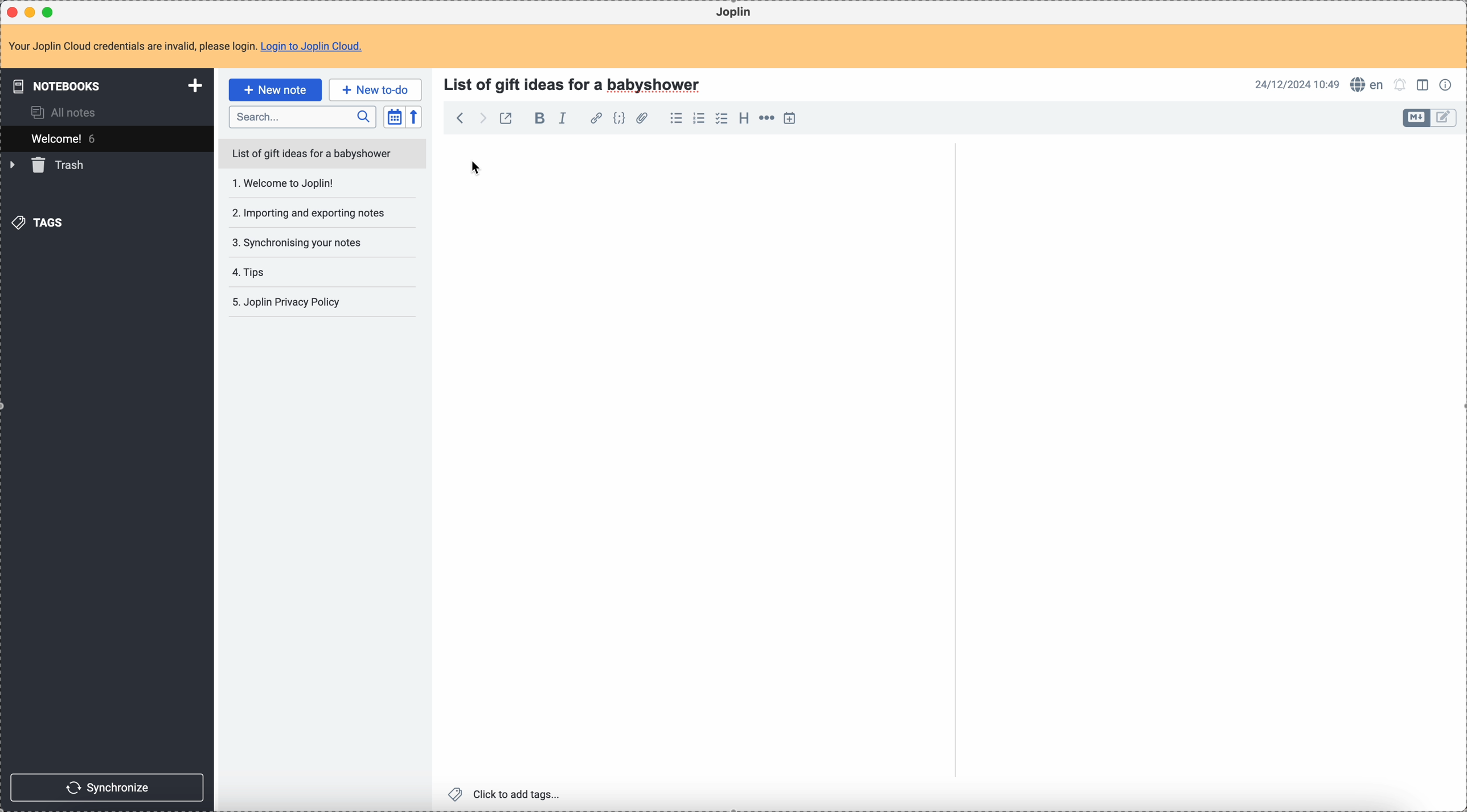 Image resolution: width=1467 pixels, height=812 pixels. I want to click on toggle sort order field, so click(394, 117).